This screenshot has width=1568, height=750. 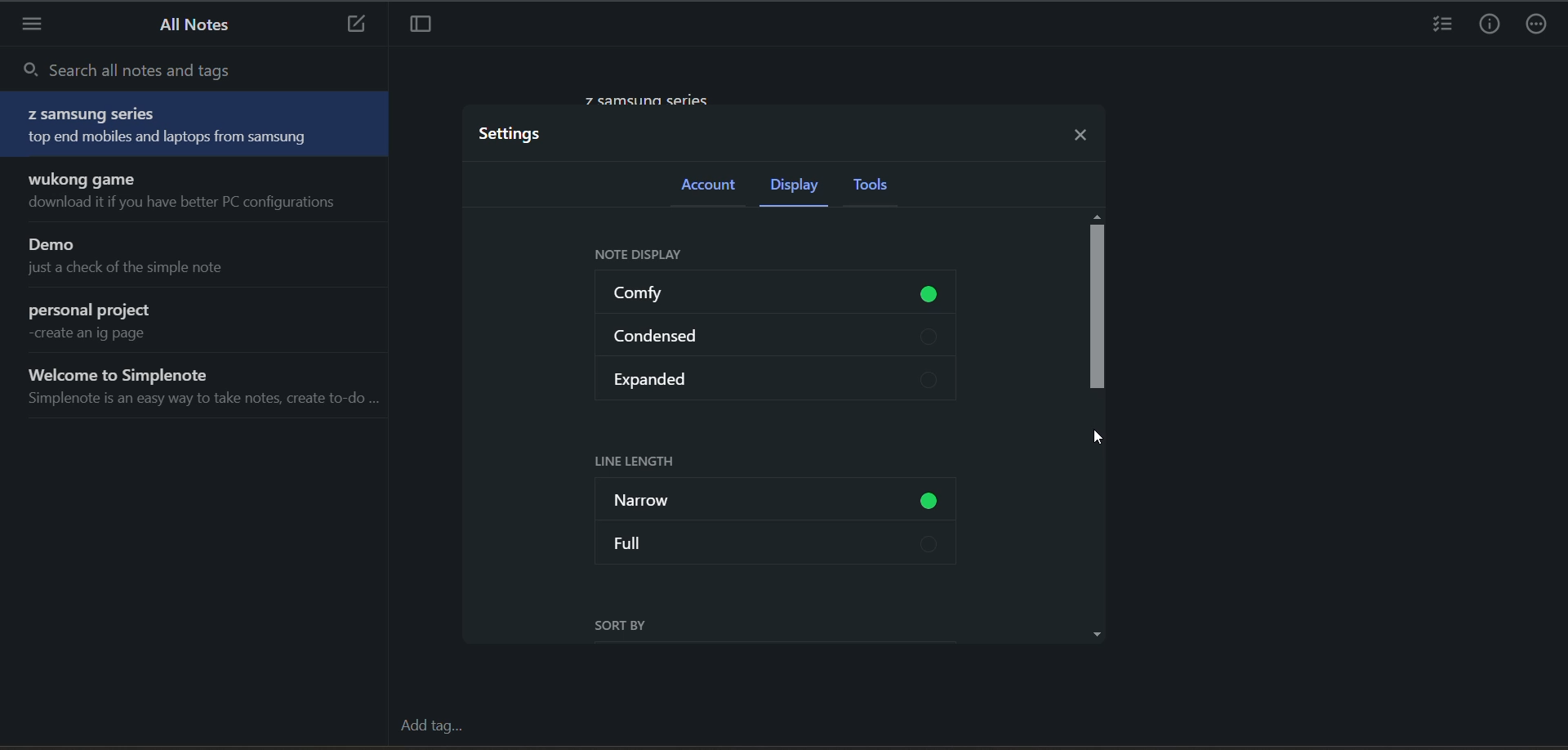 What do you see at coordinates (775, 376) in the screenshot?
I see `expanded` at bounding box center [775, 376].